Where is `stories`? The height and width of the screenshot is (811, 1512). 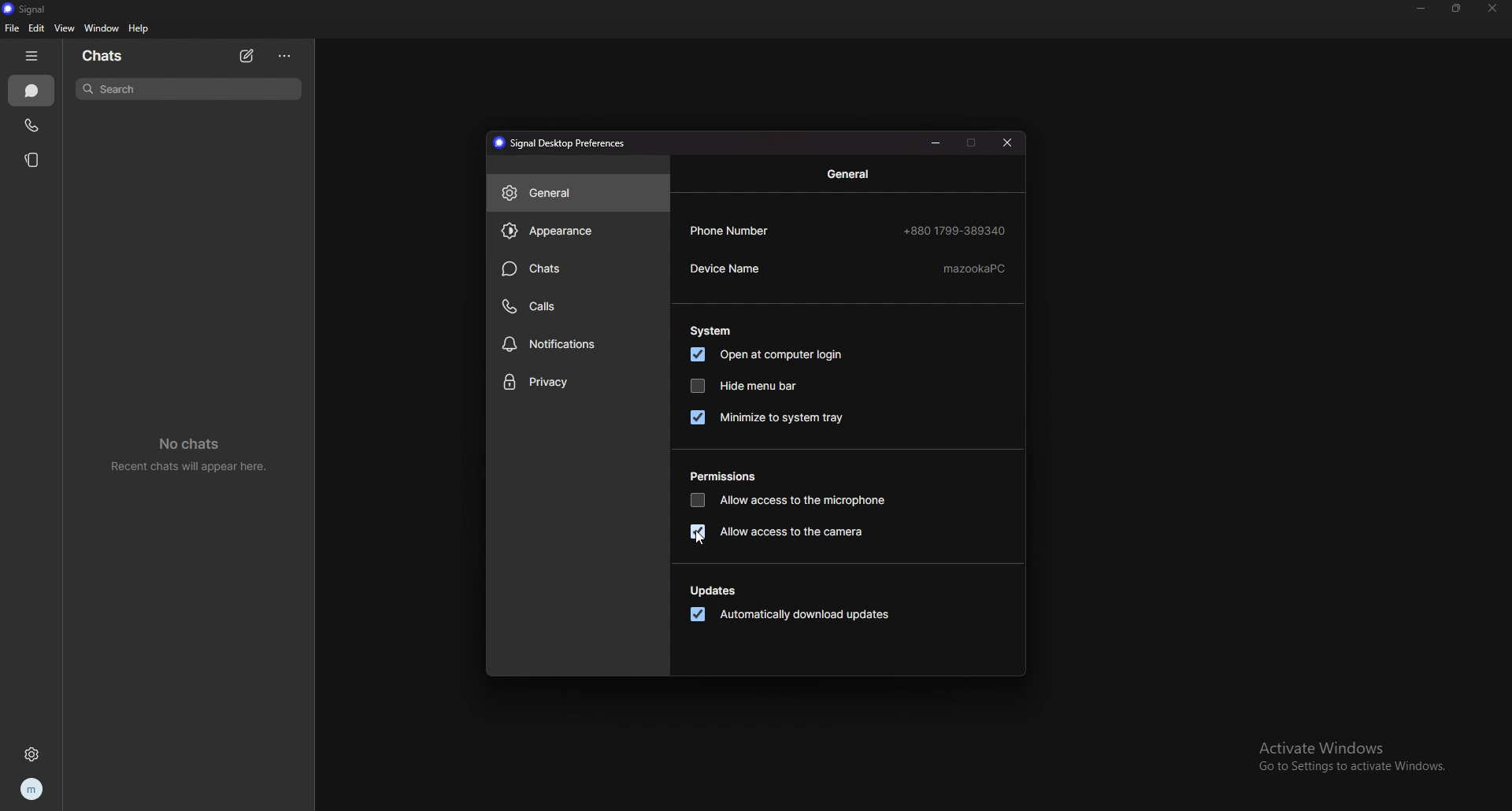 stories is located at coordinates (36, 160).